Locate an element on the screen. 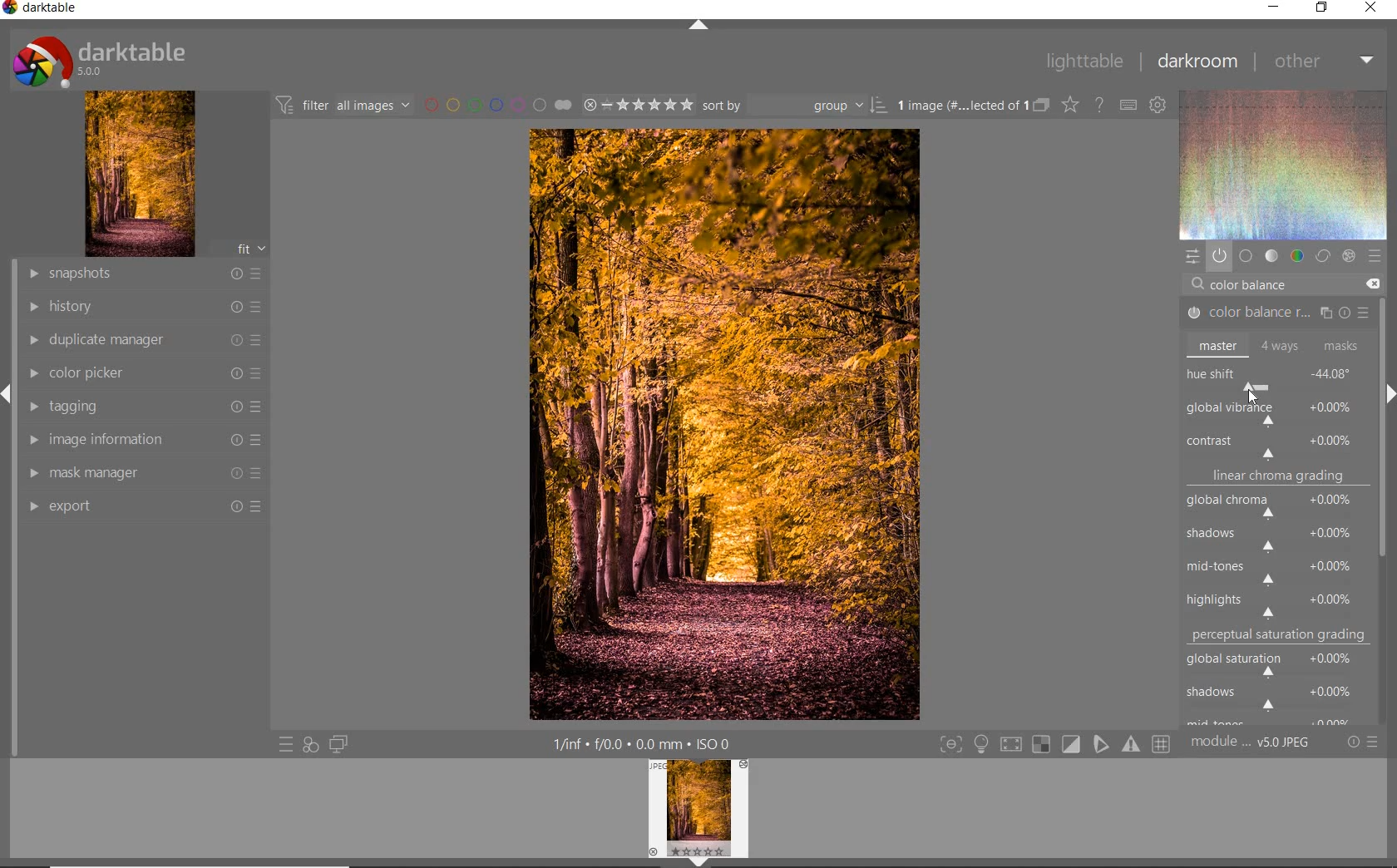 This screenshot has width=1397, height=868. quick access for applying any style is located at coordinates (311, 745).